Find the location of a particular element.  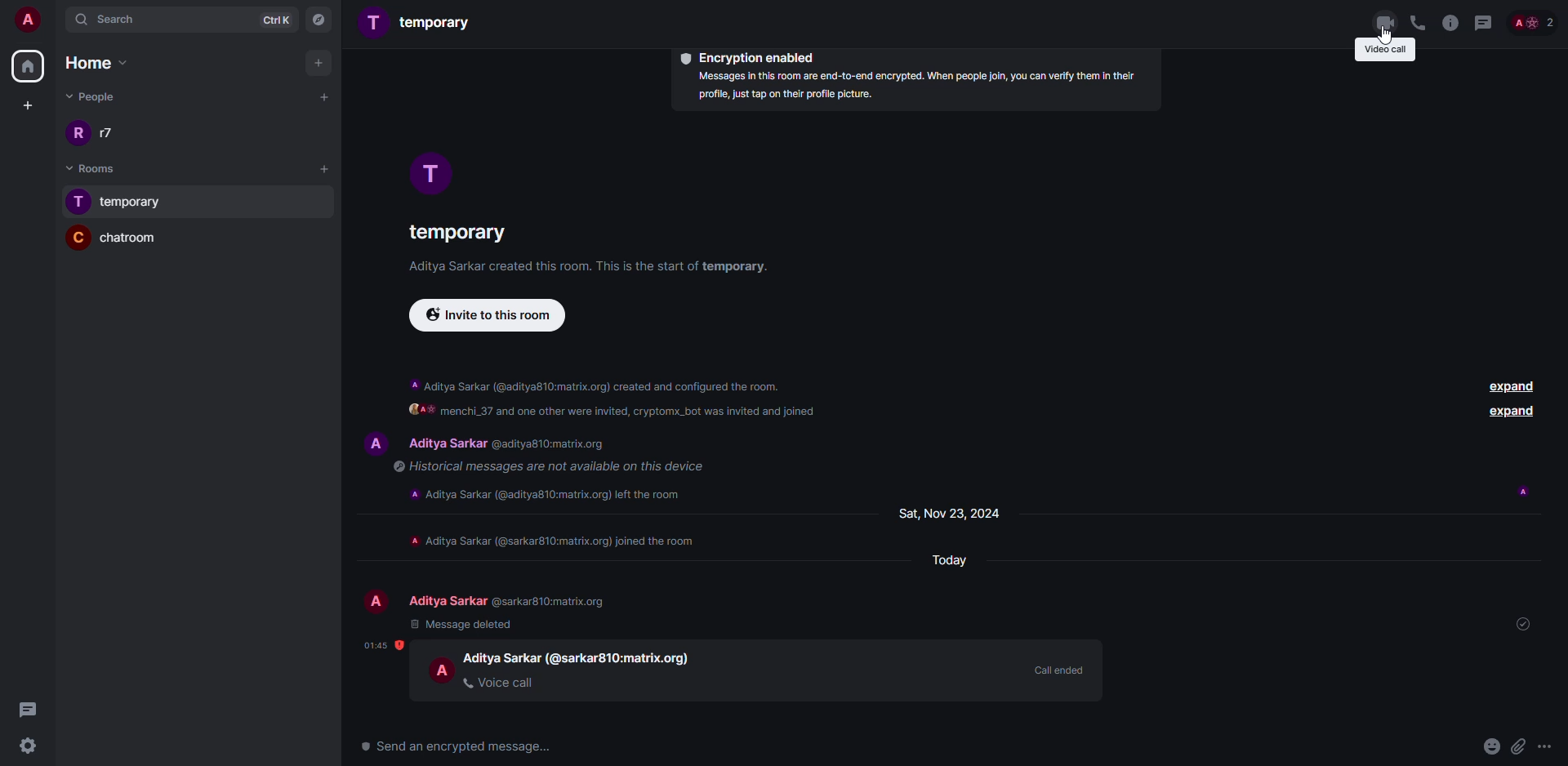

account is located at coordinates (29, 22).